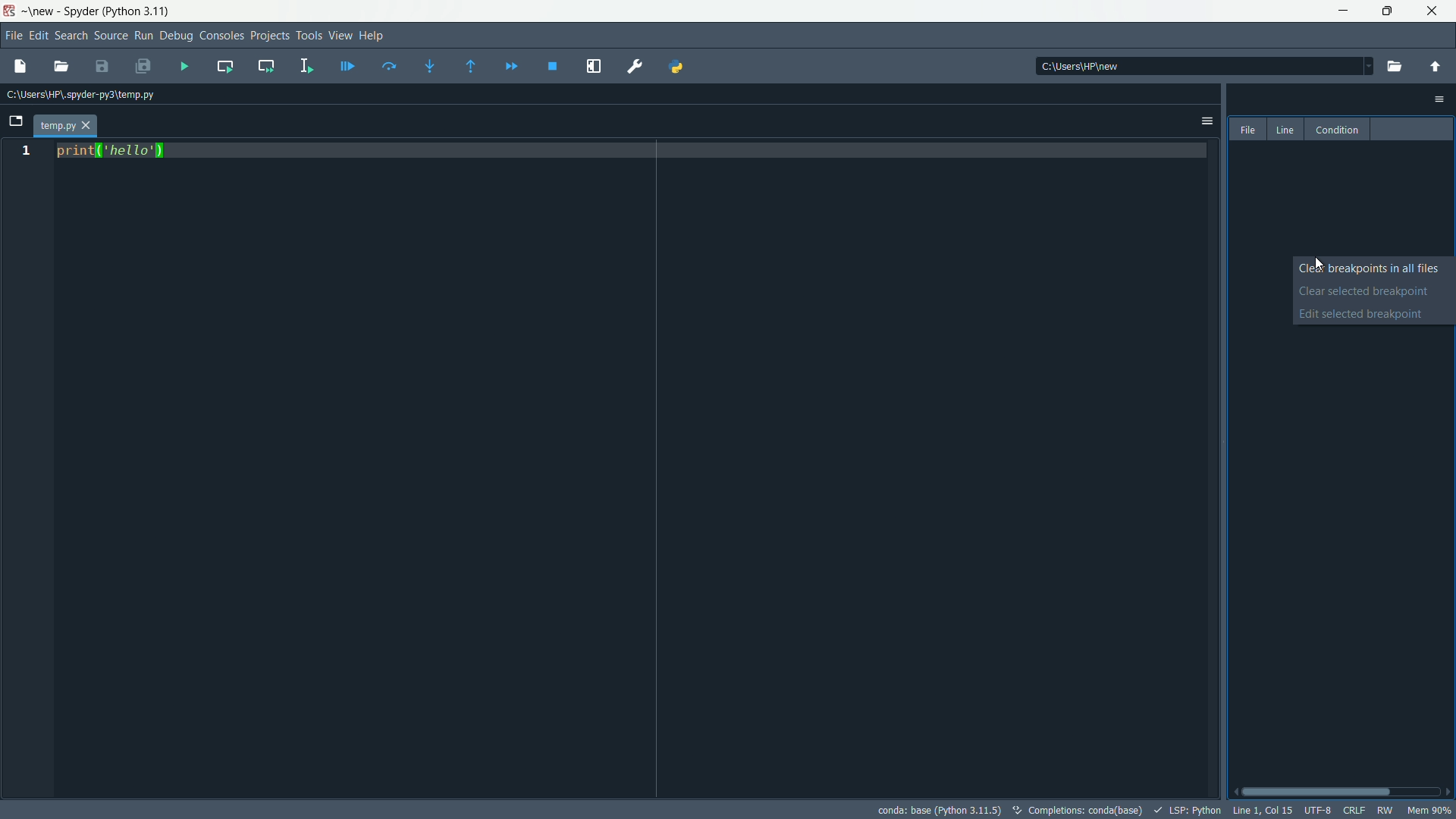  I want to click on python path manager, so click(676, 67).